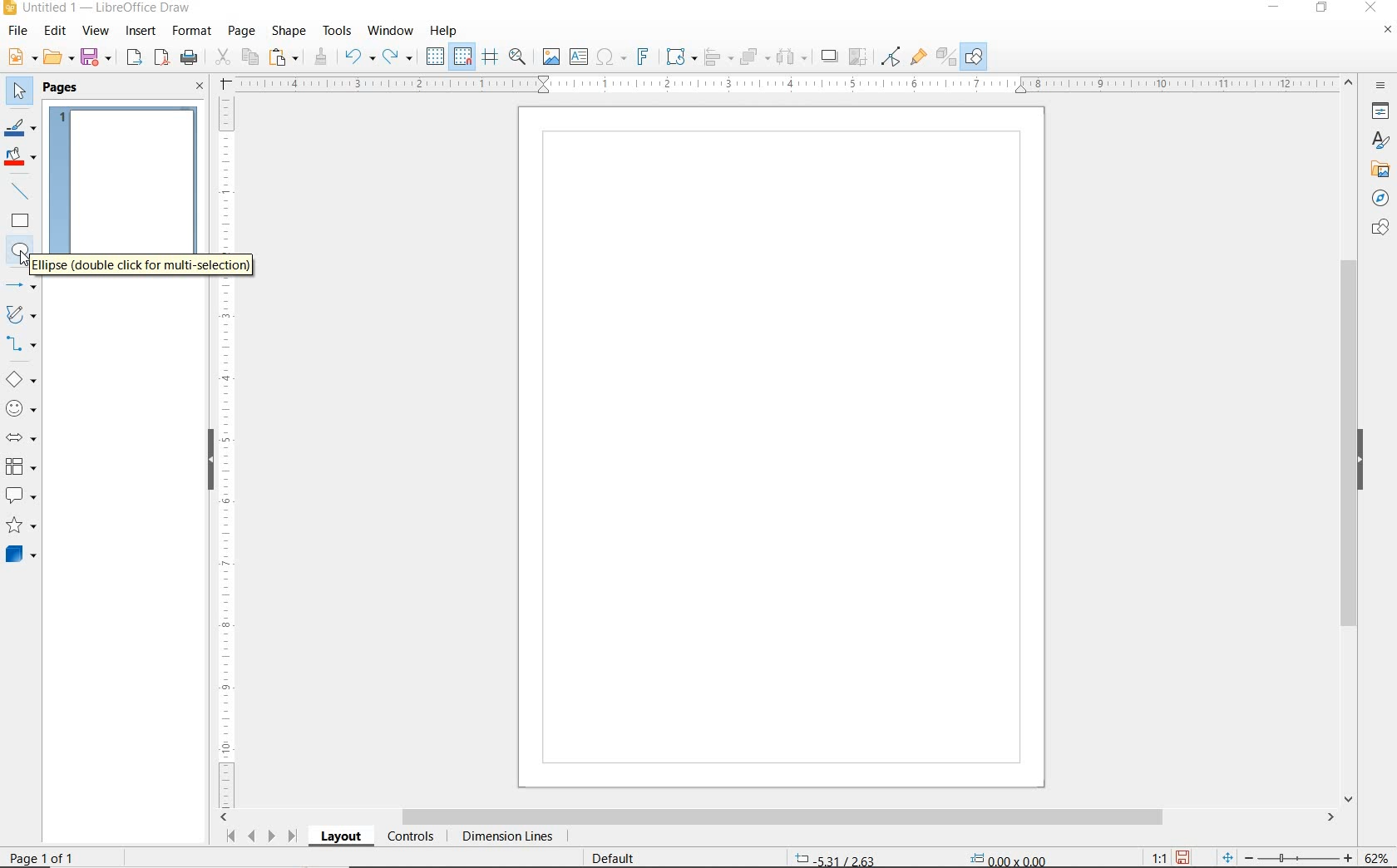 This screenshot has height=868, width=1397. I want to click on TOGGLE POINT EDIT MODE, so click(891, 57).